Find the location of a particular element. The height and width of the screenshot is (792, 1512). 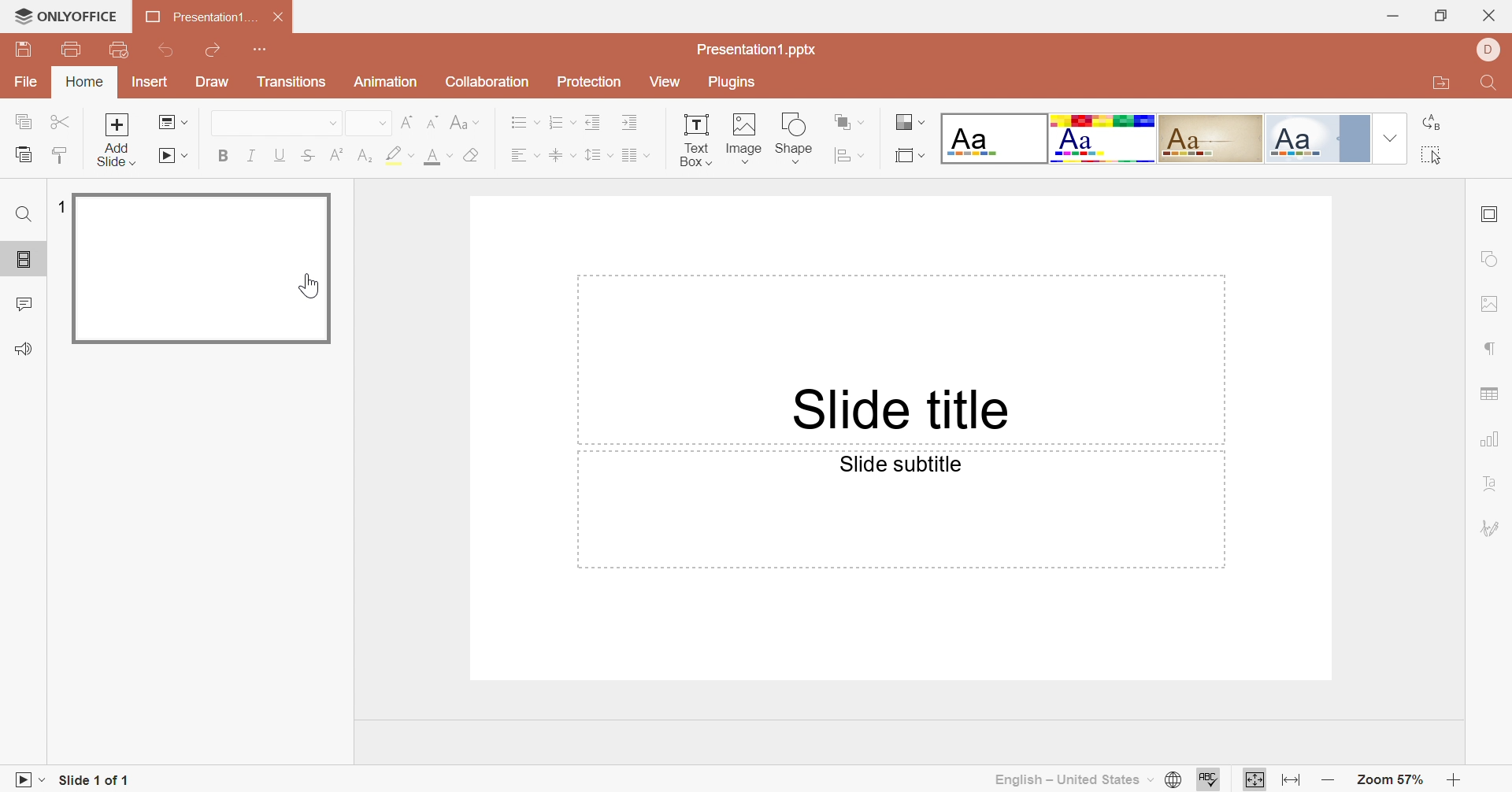

Copy is located at coordinates (23, 122).